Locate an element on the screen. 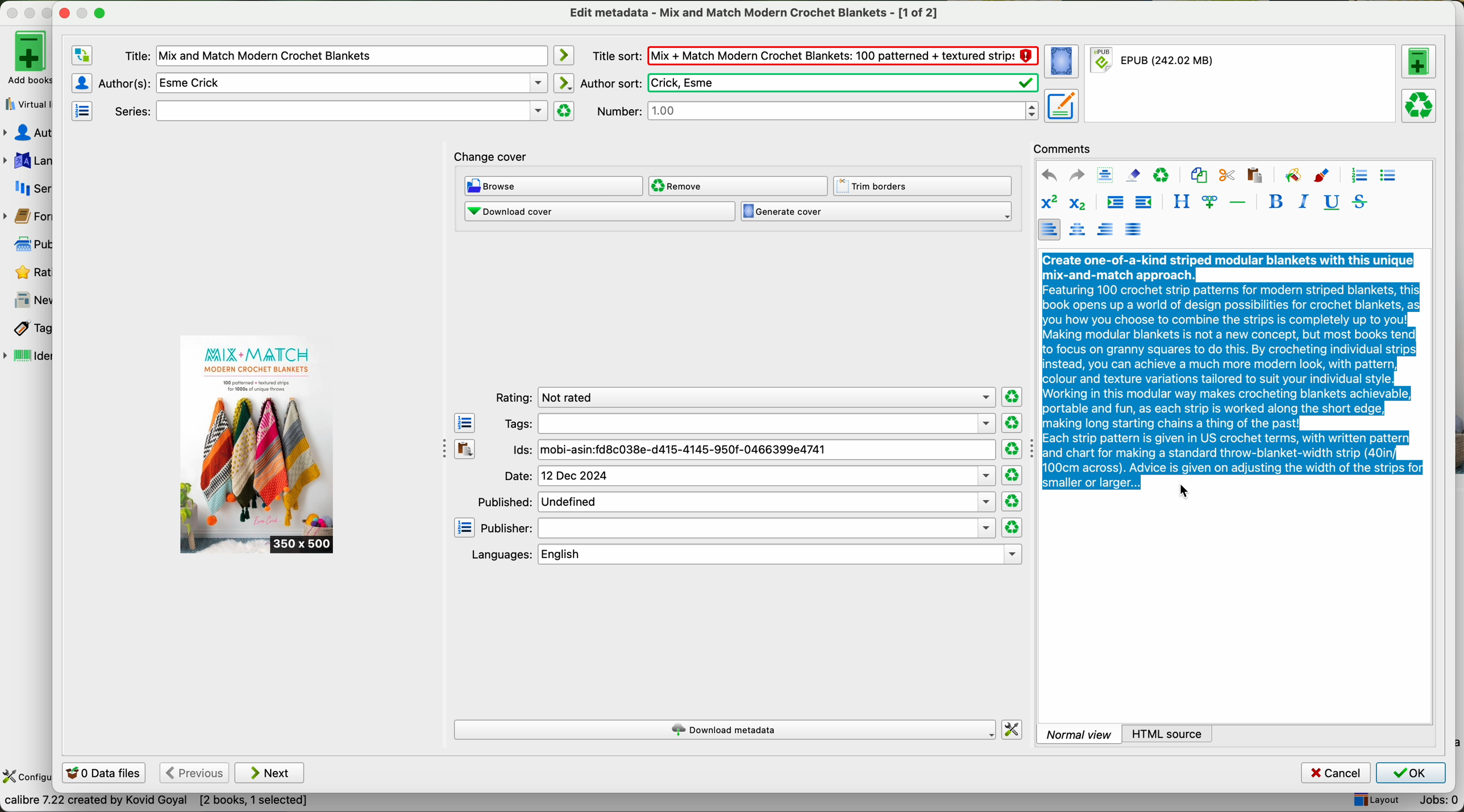 The height and width of the screenshot is (812, 1464). series is located at coordinates (27, 188).